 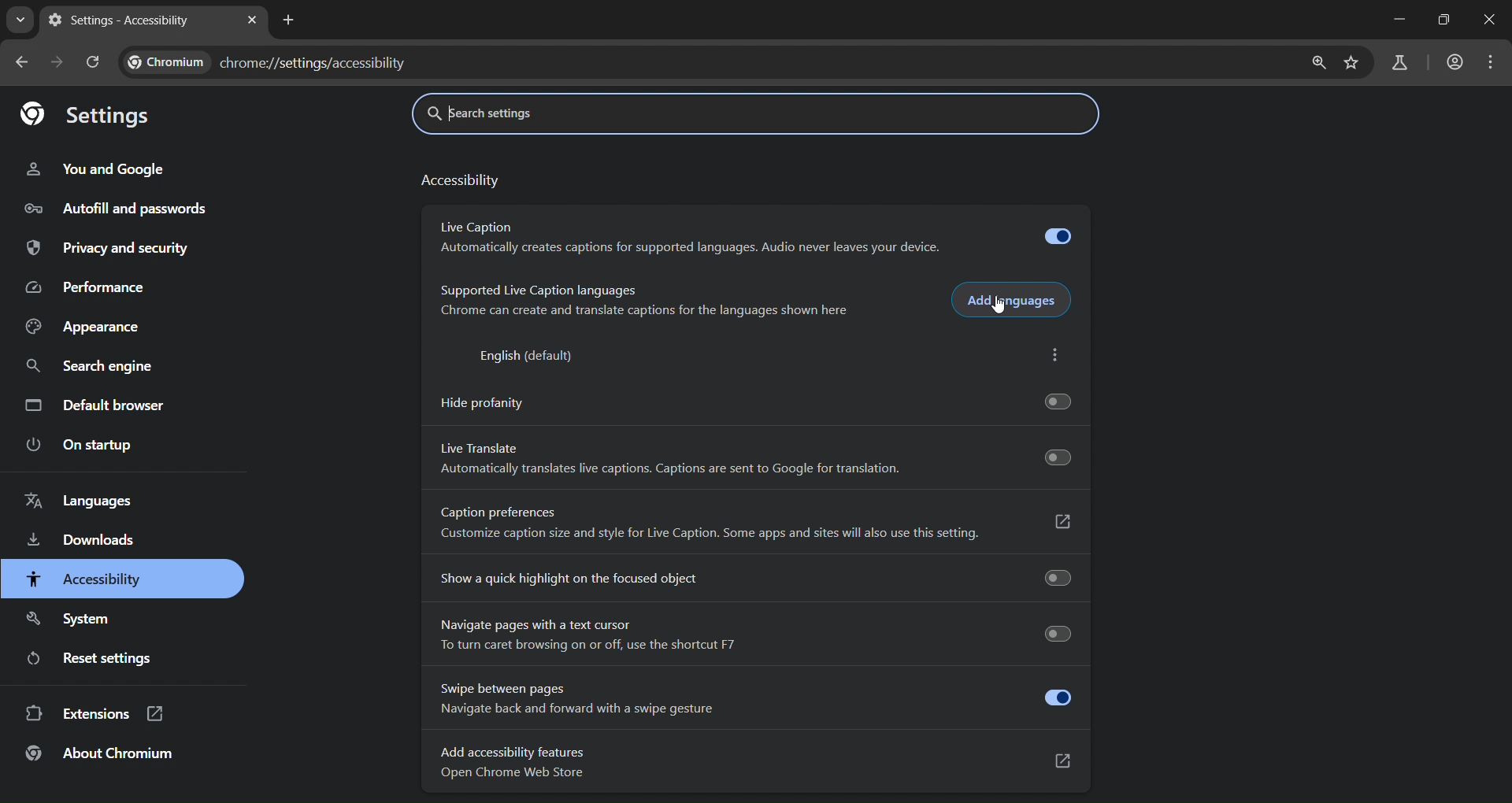 I want to click on extensions, so click(x=92, y=715).